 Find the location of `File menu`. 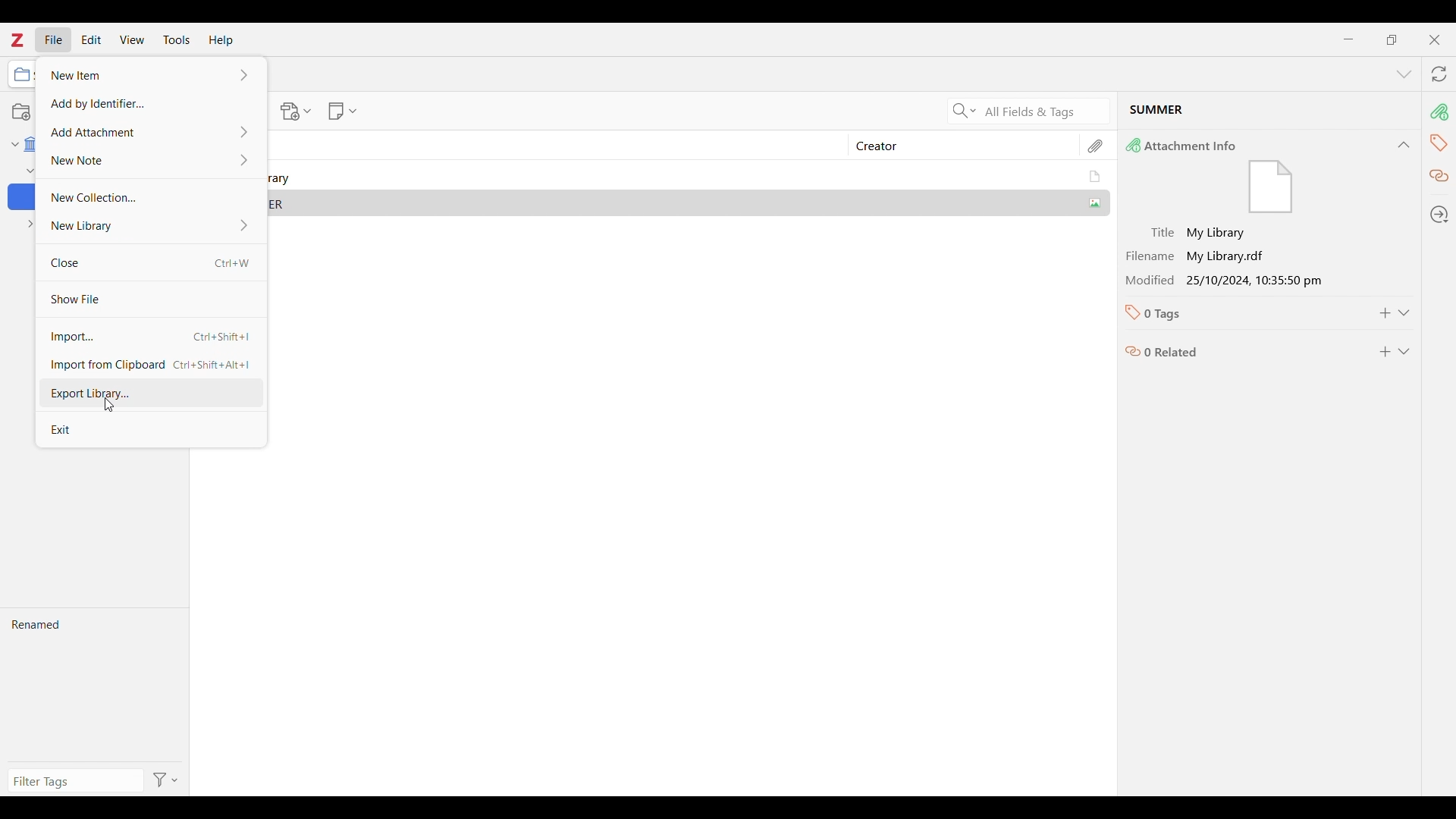

File menu is located at coordinates (54, 39).